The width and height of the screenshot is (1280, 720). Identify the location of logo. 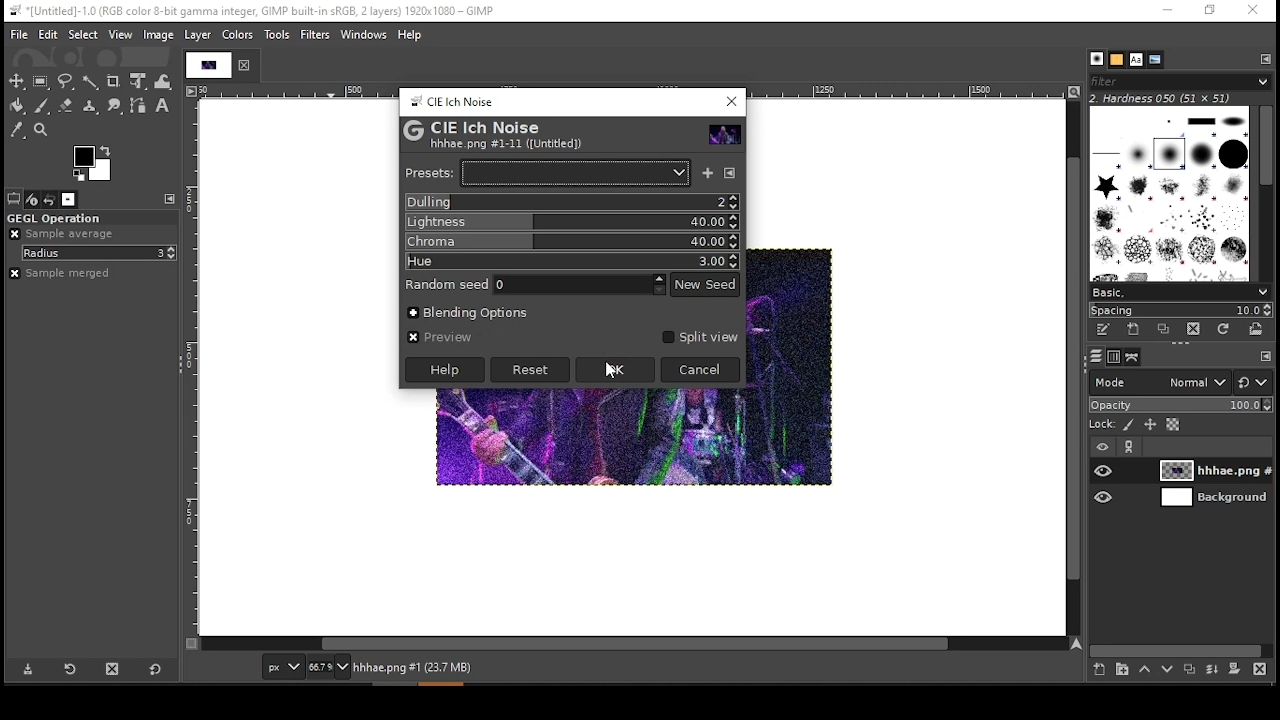
(414, 130).